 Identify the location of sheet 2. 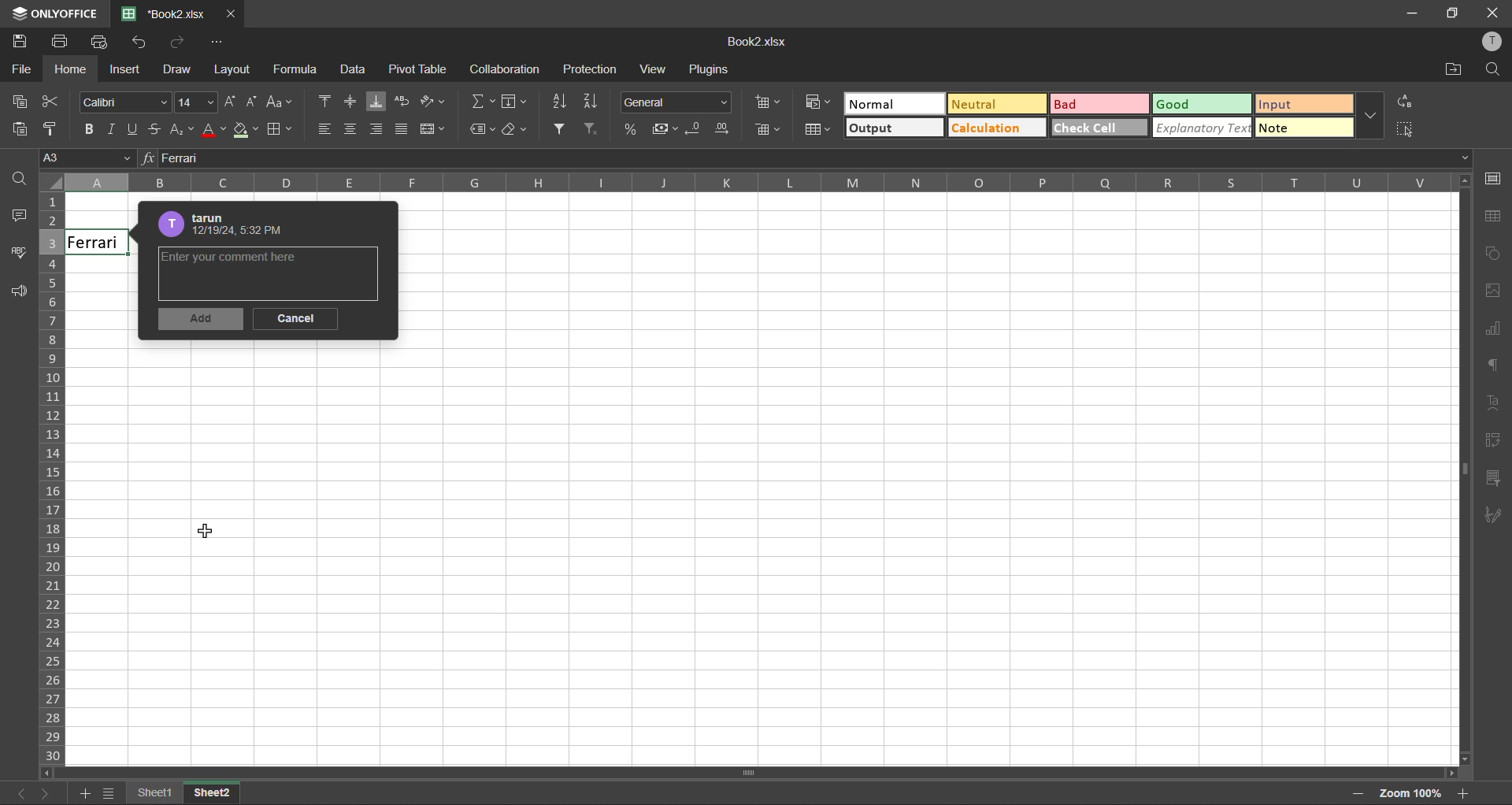
(215, 793).